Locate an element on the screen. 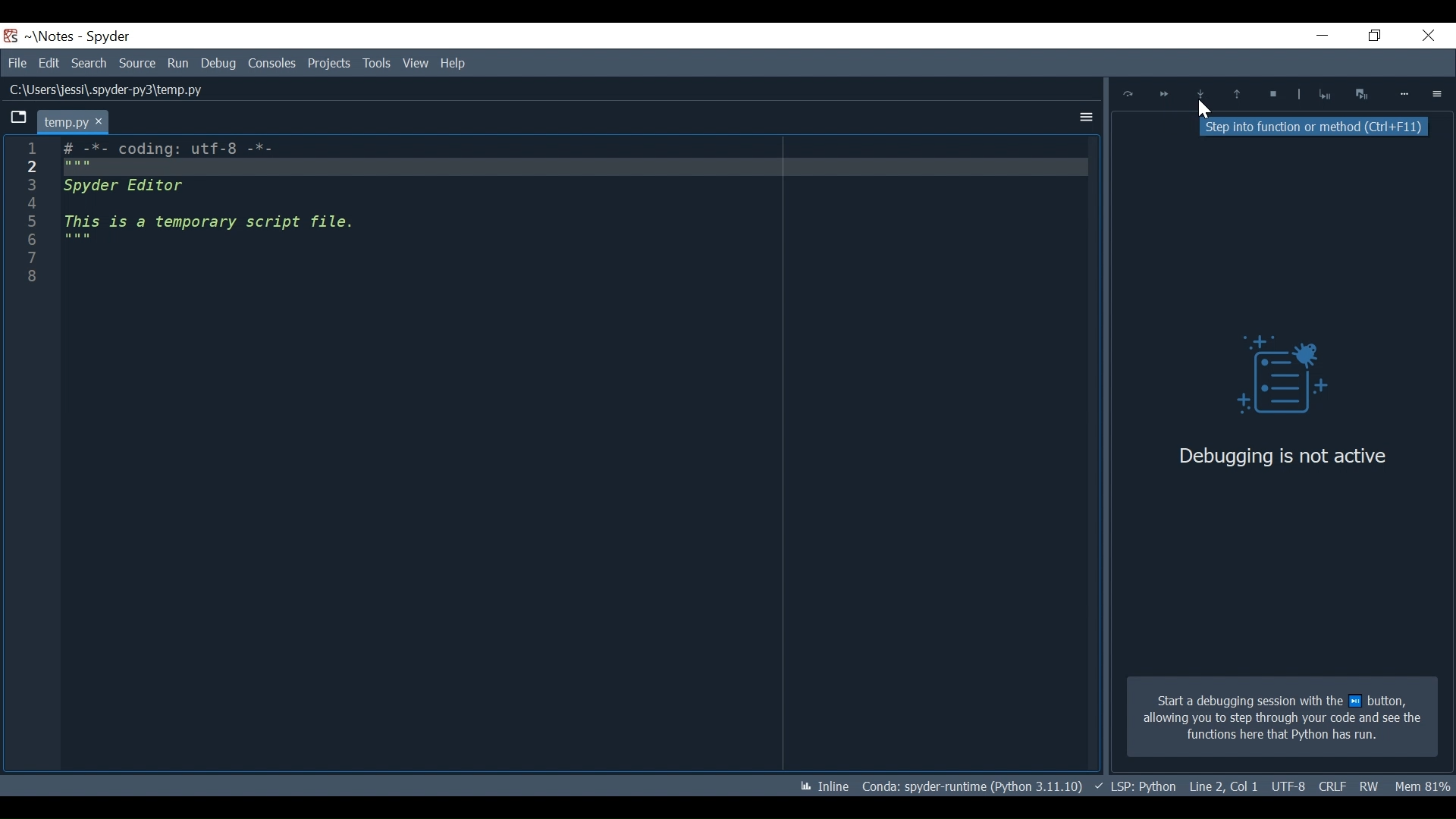 The width and height of the screenshot is (1456, 819). Debug is located at coordinates (218, 63).